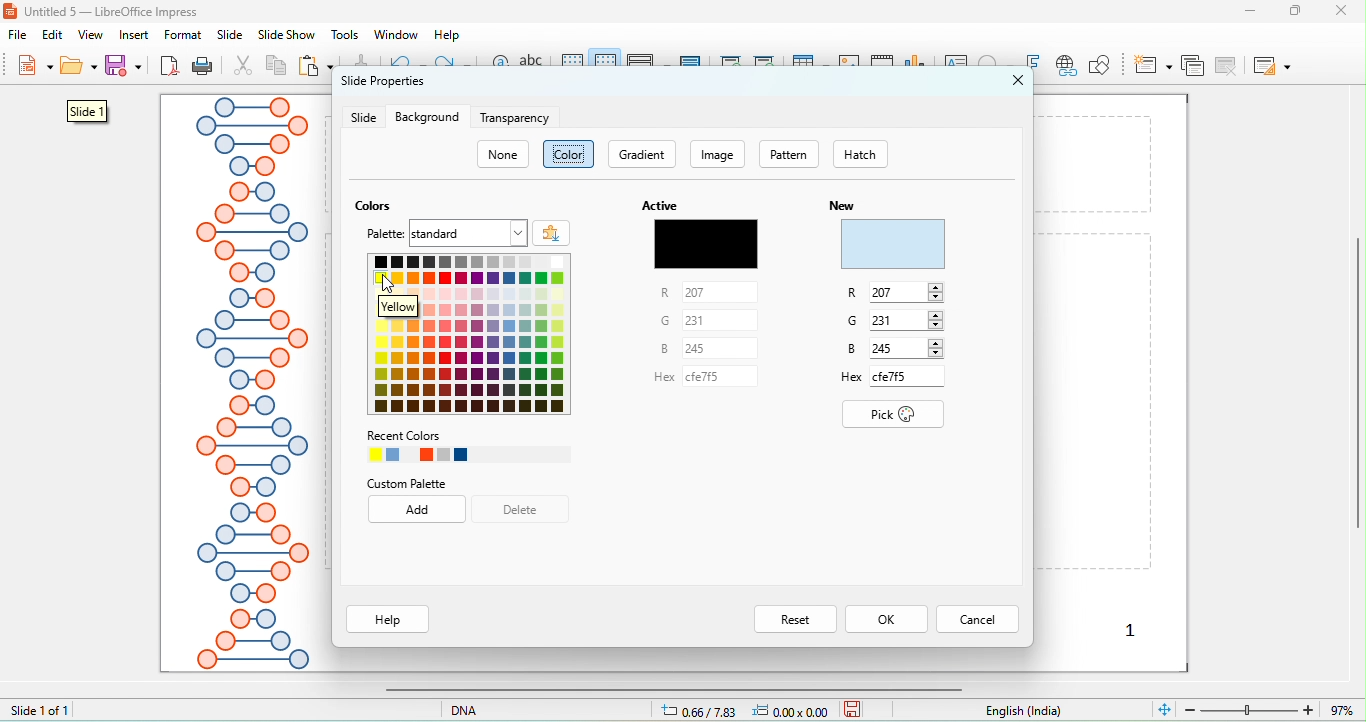  I want to click on slide, so click(230, 35).